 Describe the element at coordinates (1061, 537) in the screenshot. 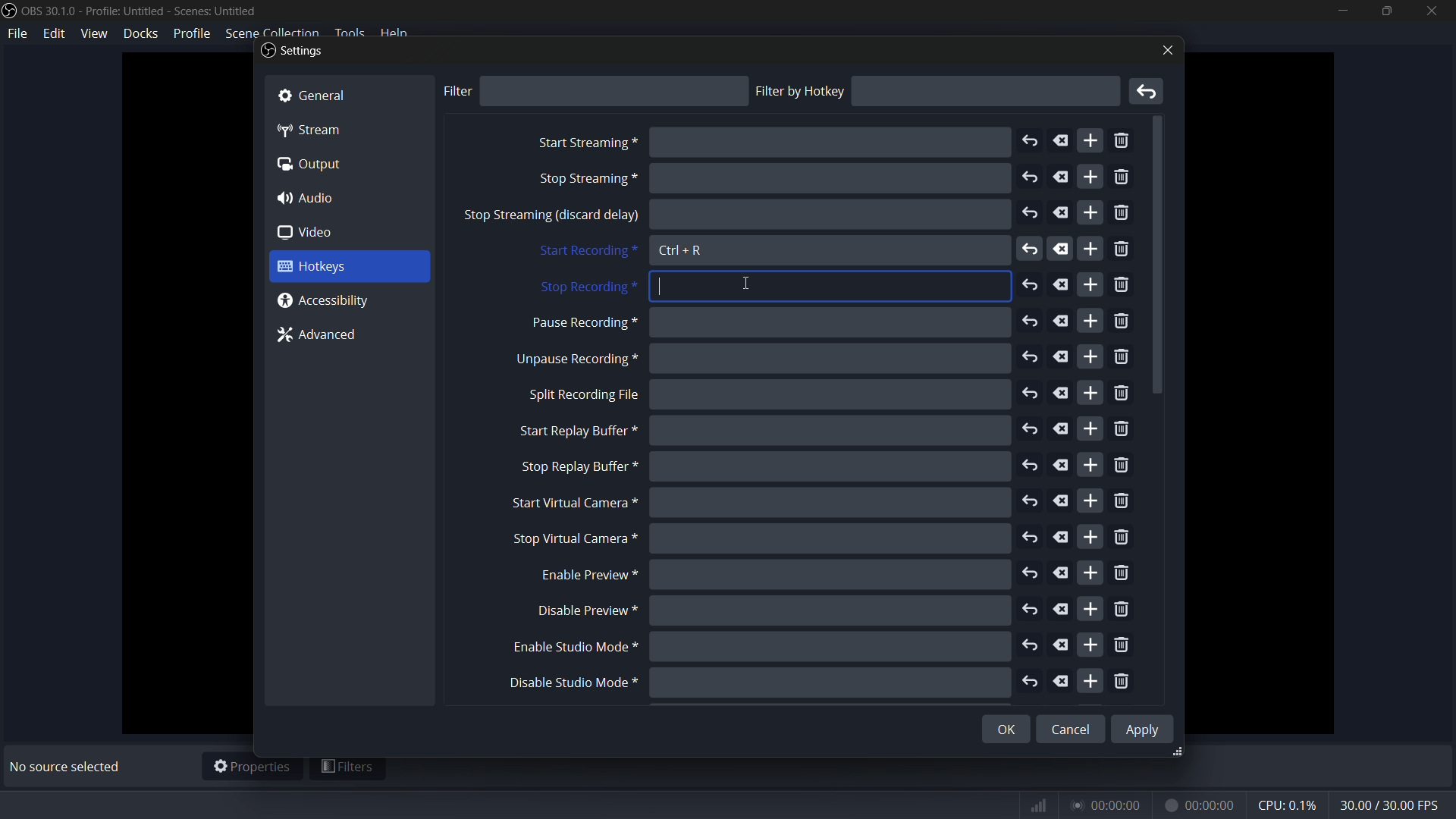

I see `delete` at that location.